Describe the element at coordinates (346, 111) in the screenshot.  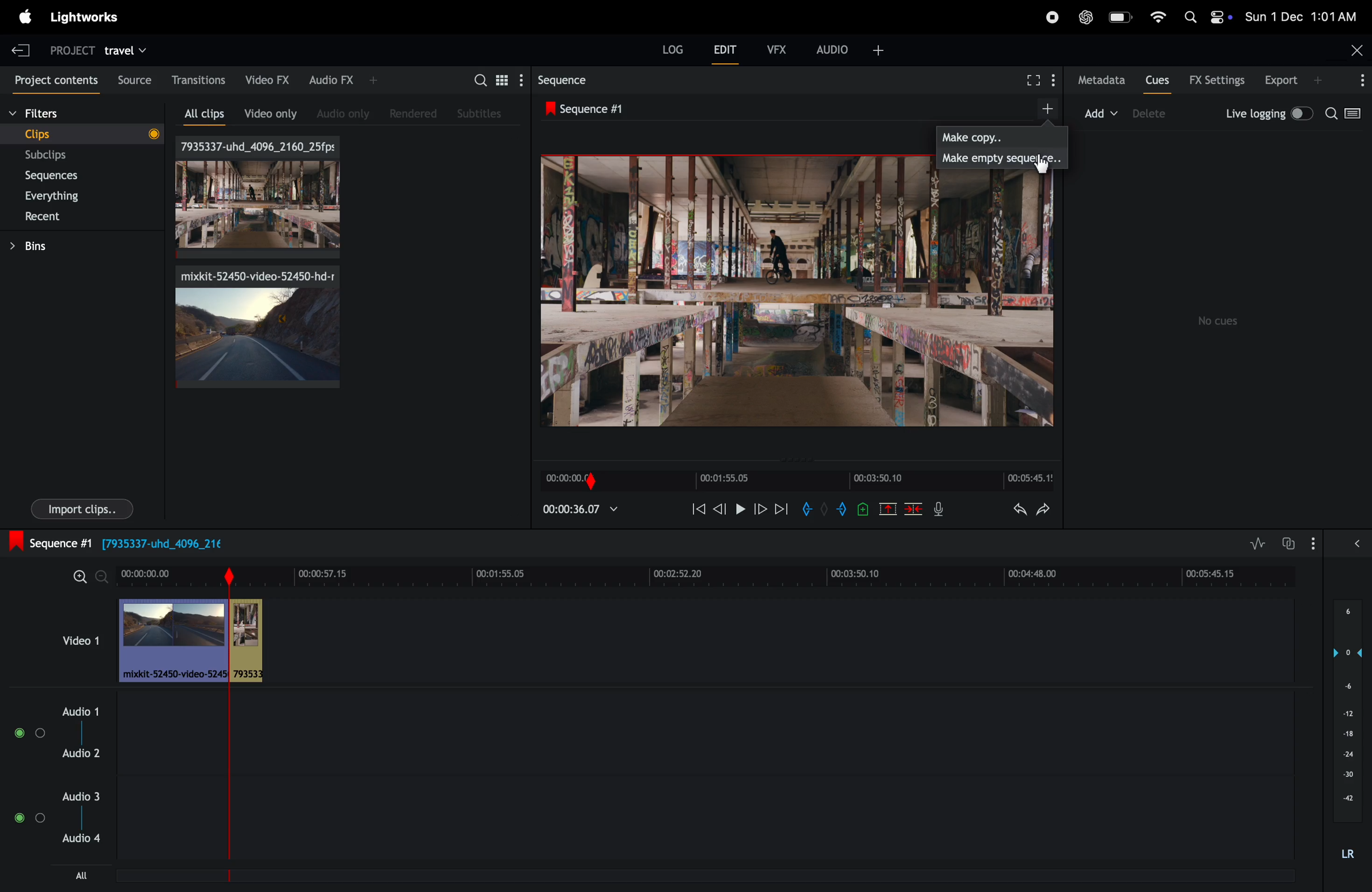
I see `audio only` at that location.